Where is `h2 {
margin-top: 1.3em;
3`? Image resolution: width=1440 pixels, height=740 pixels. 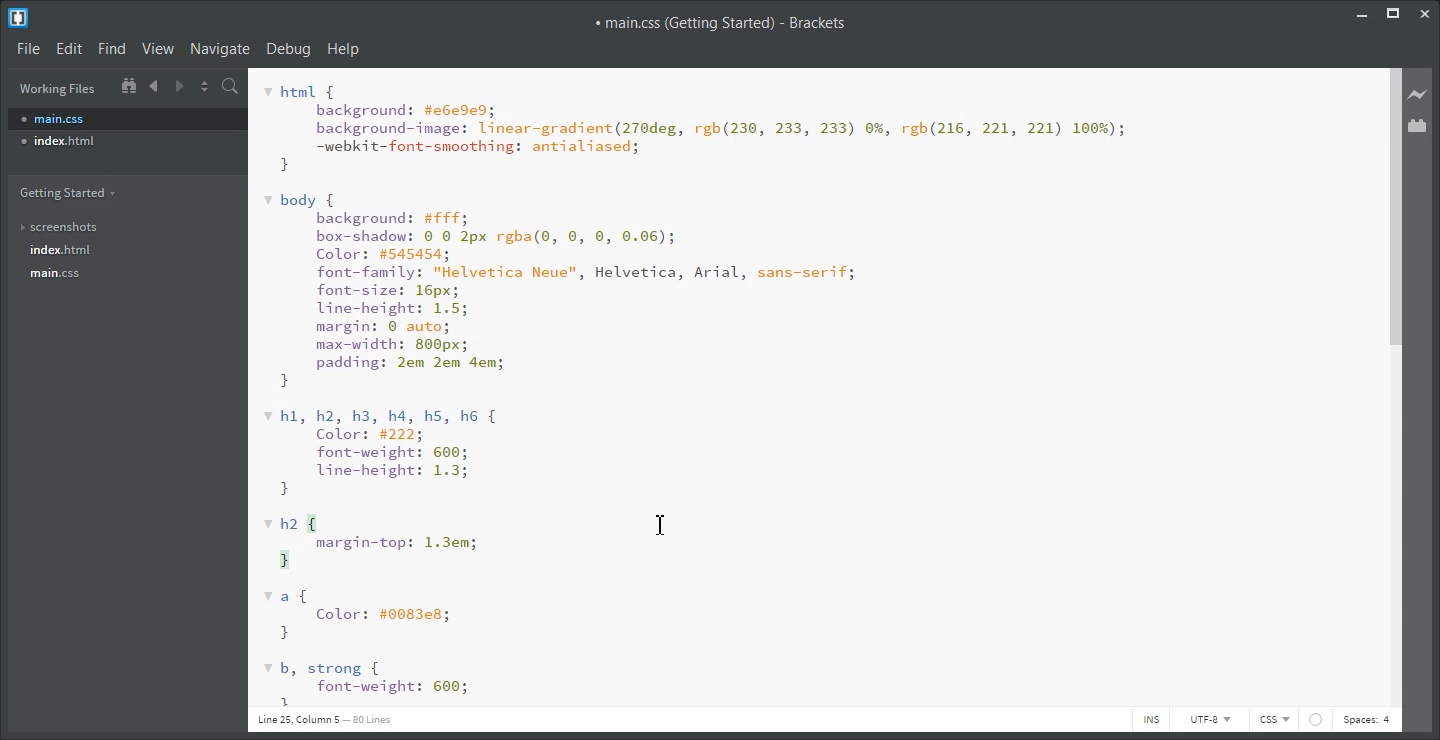 h2 {
margin-top: 1.3em;
3 is located at coordinates (375, 543).